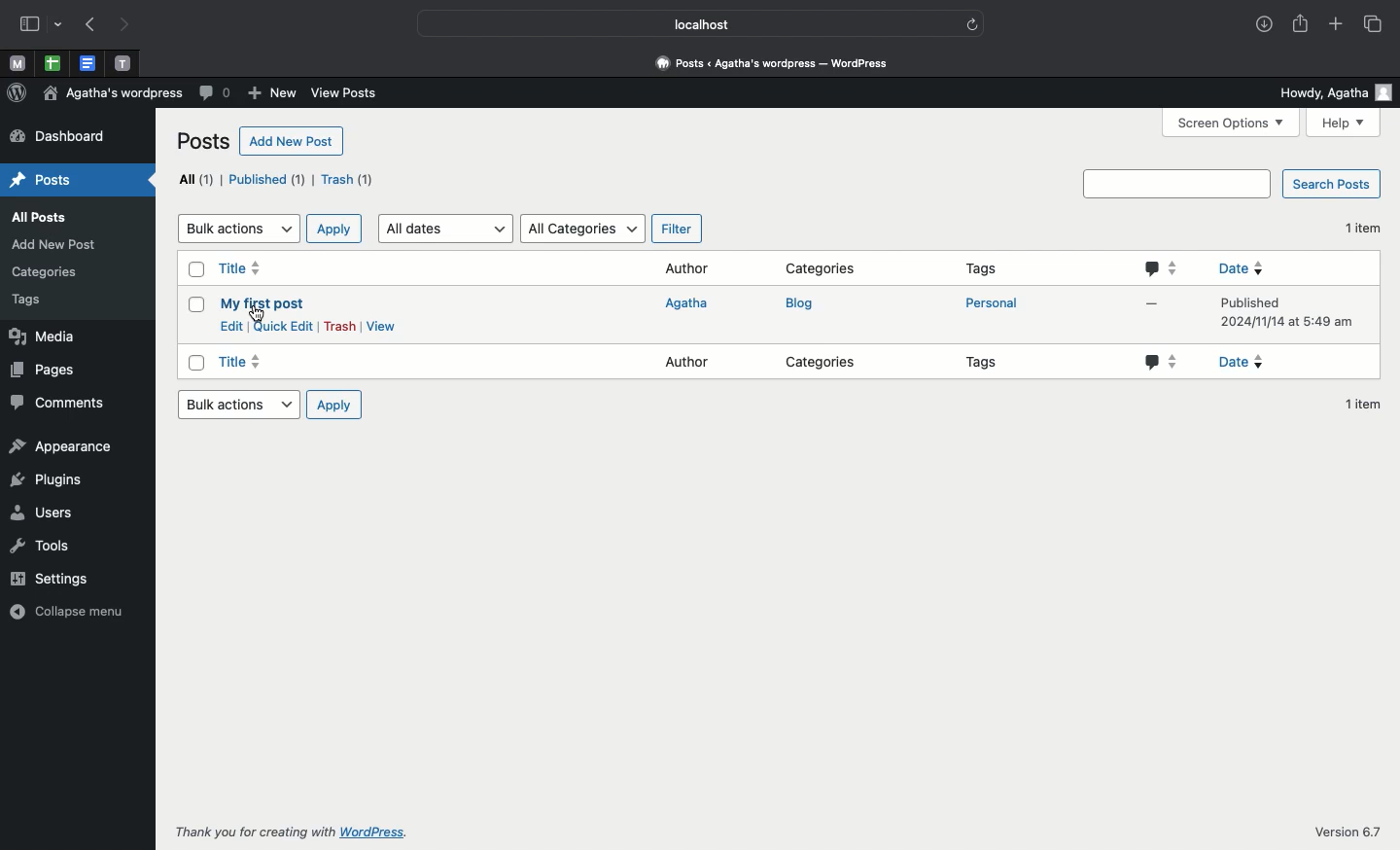  Describe the element at coordinates (819, 268) in the screenshot. I see `Categories` at that location.